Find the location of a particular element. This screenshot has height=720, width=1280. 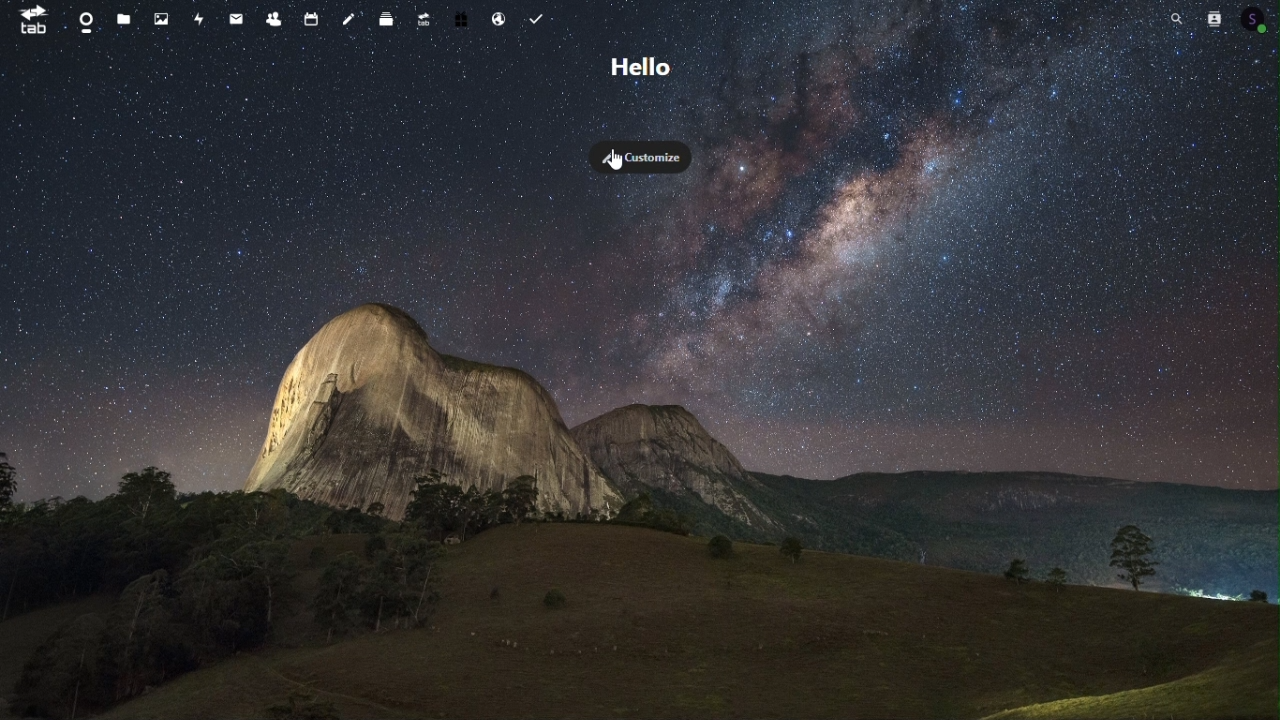

tab is located at coordinates (27, 21).